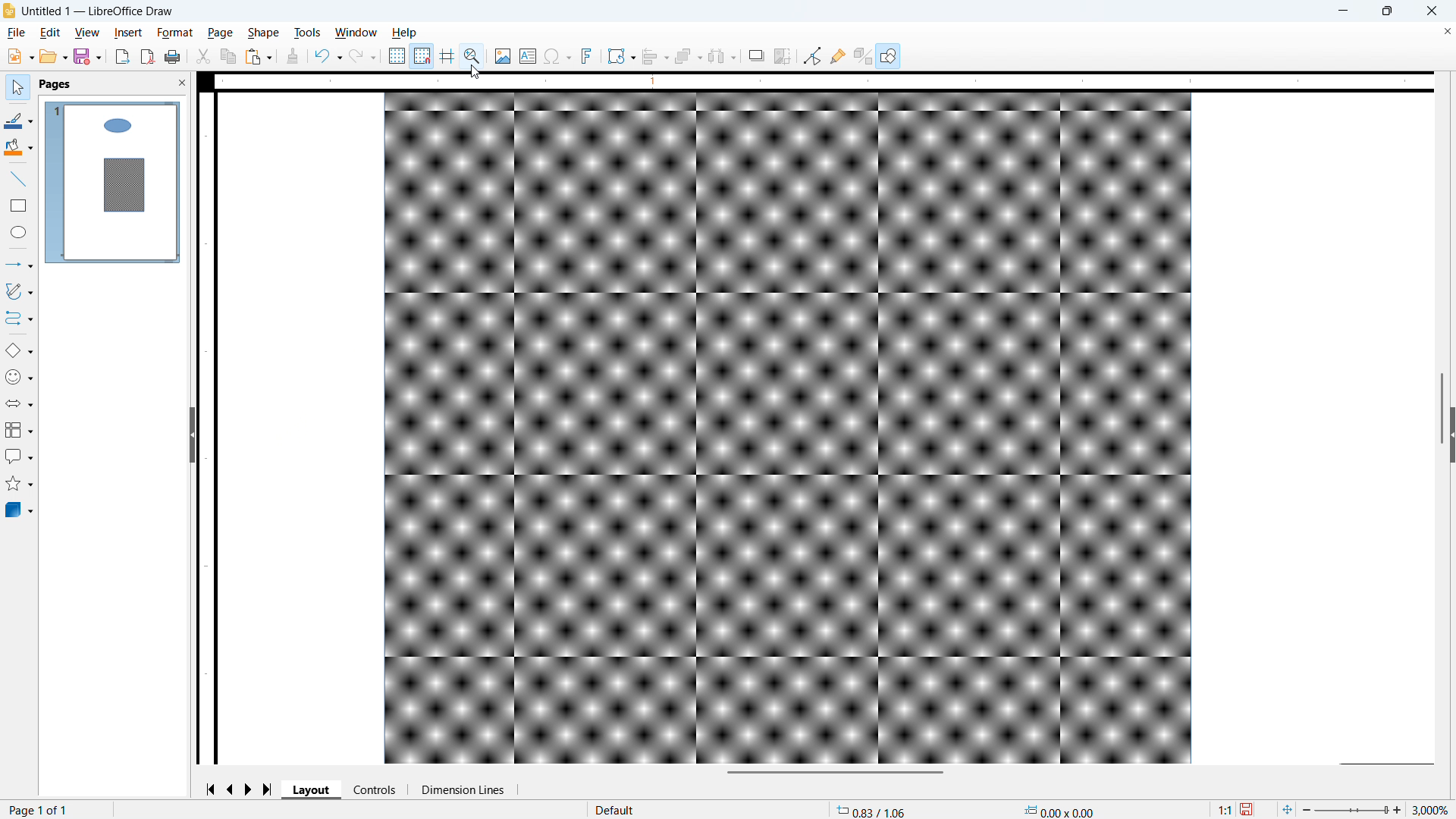 The height and width of the screenshot is (819, 1456). Describe the element at coordinates (1341, 11) in the screenshot. I see `minimise ` at that location.